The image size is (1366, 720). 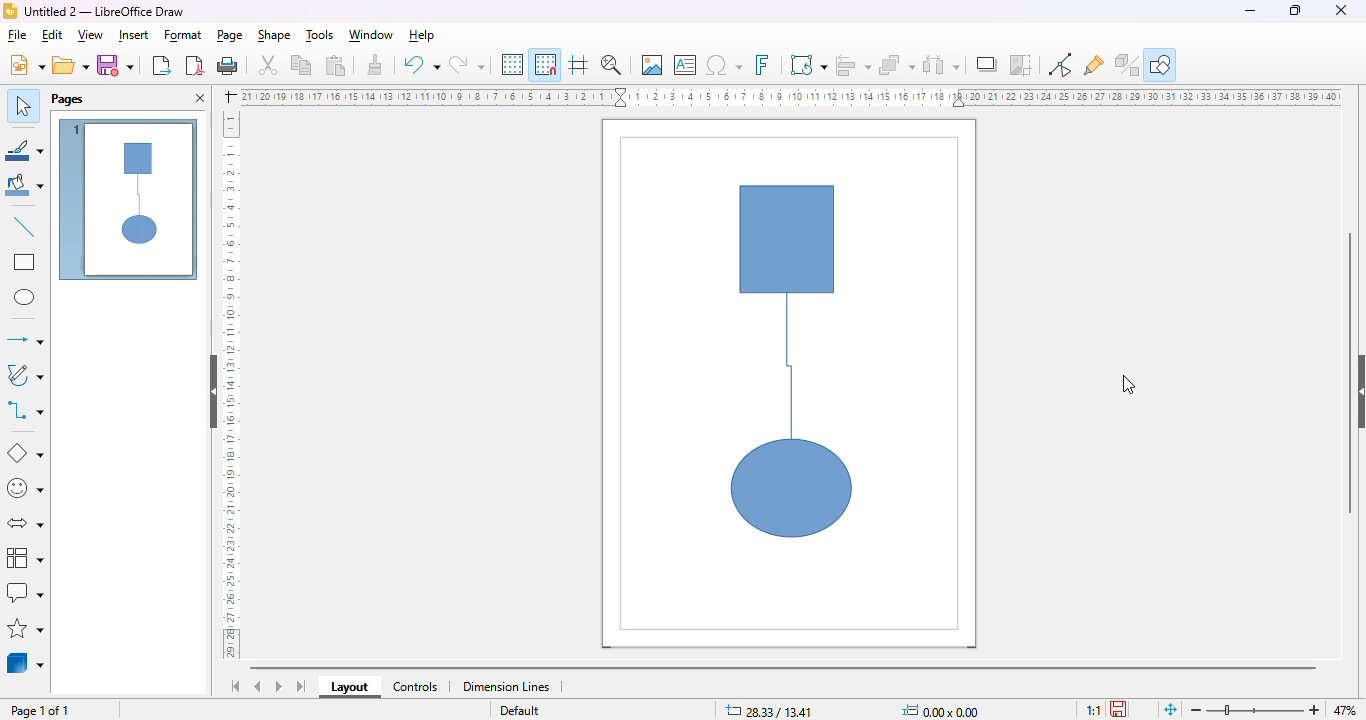 I want to click on help, so click(x=421, y=35).